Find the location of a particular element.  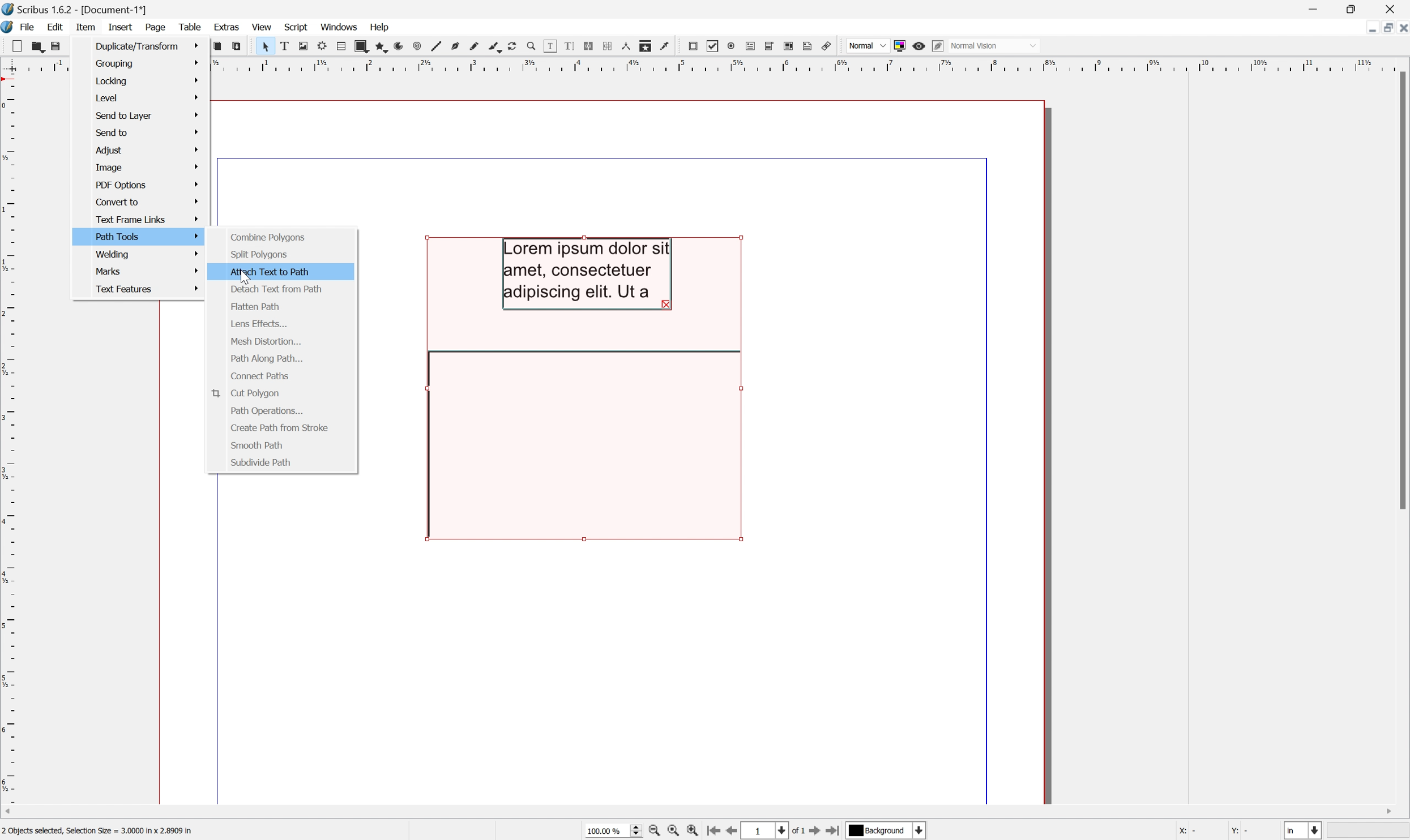

Arc is located at coordinates (399, 46).